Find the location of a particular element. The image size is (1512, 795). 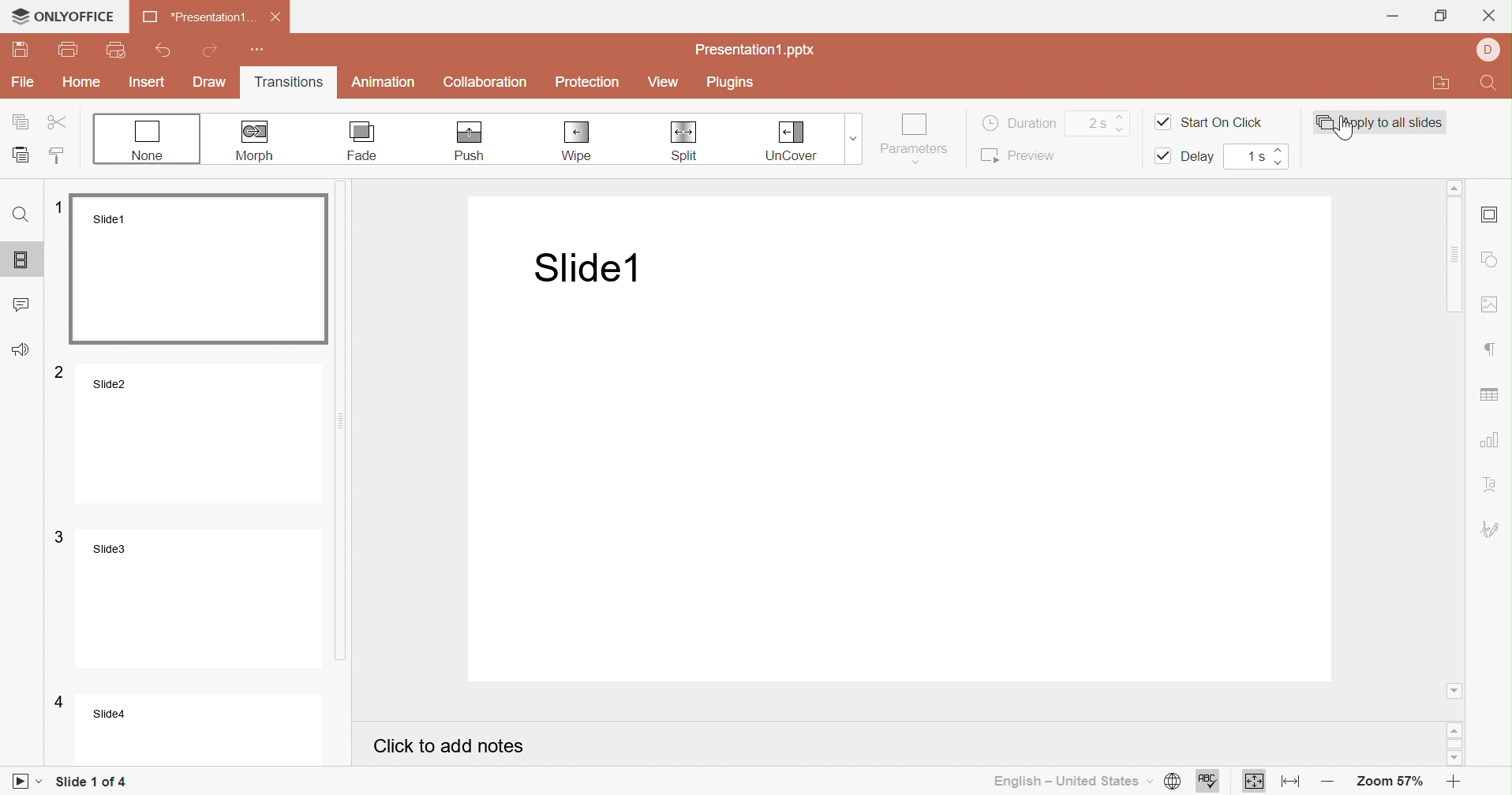

Zoom in is located at coordinates (1454, 784).